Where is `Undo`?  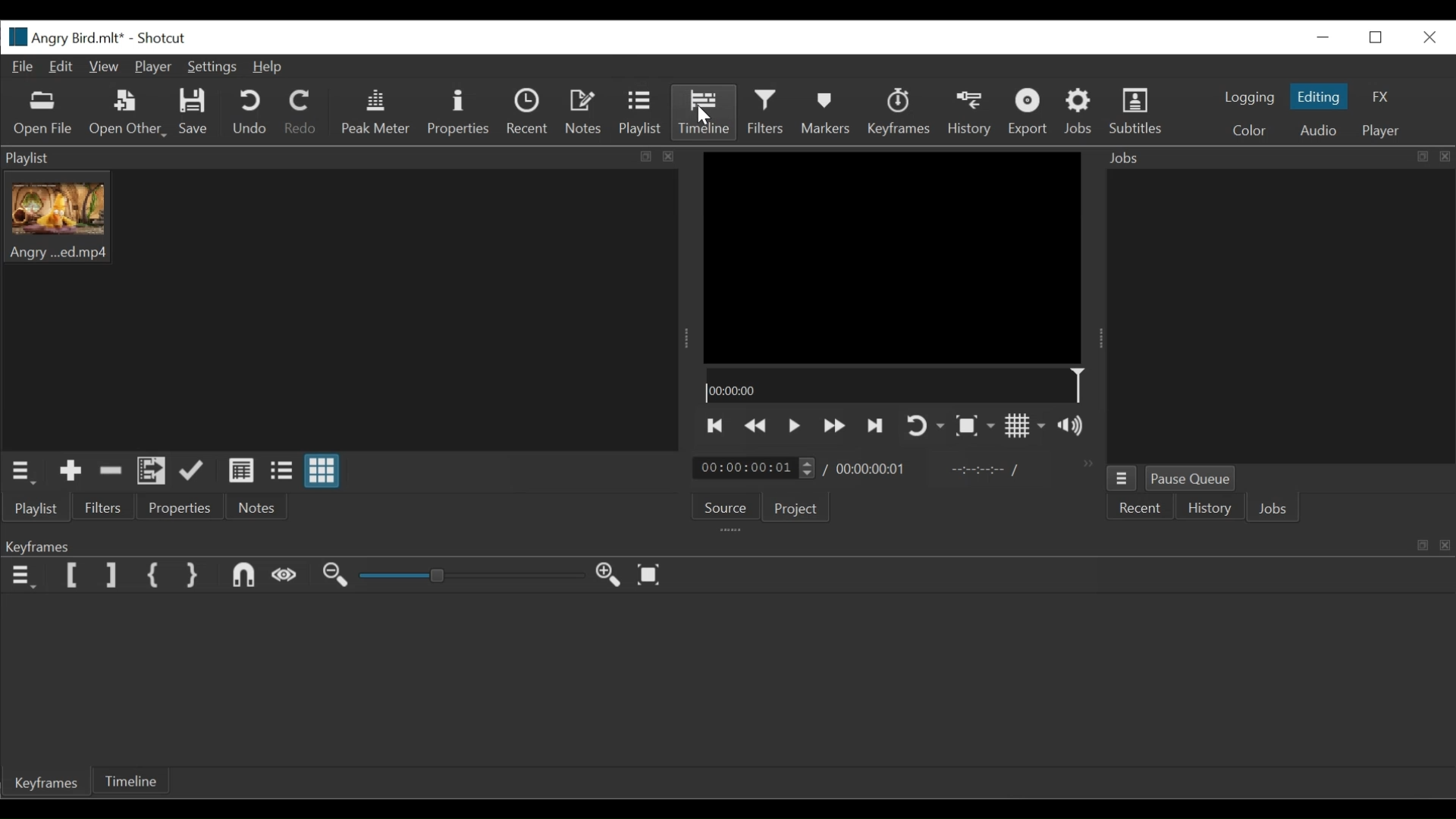
Undo is located at coordinates (249, 113).